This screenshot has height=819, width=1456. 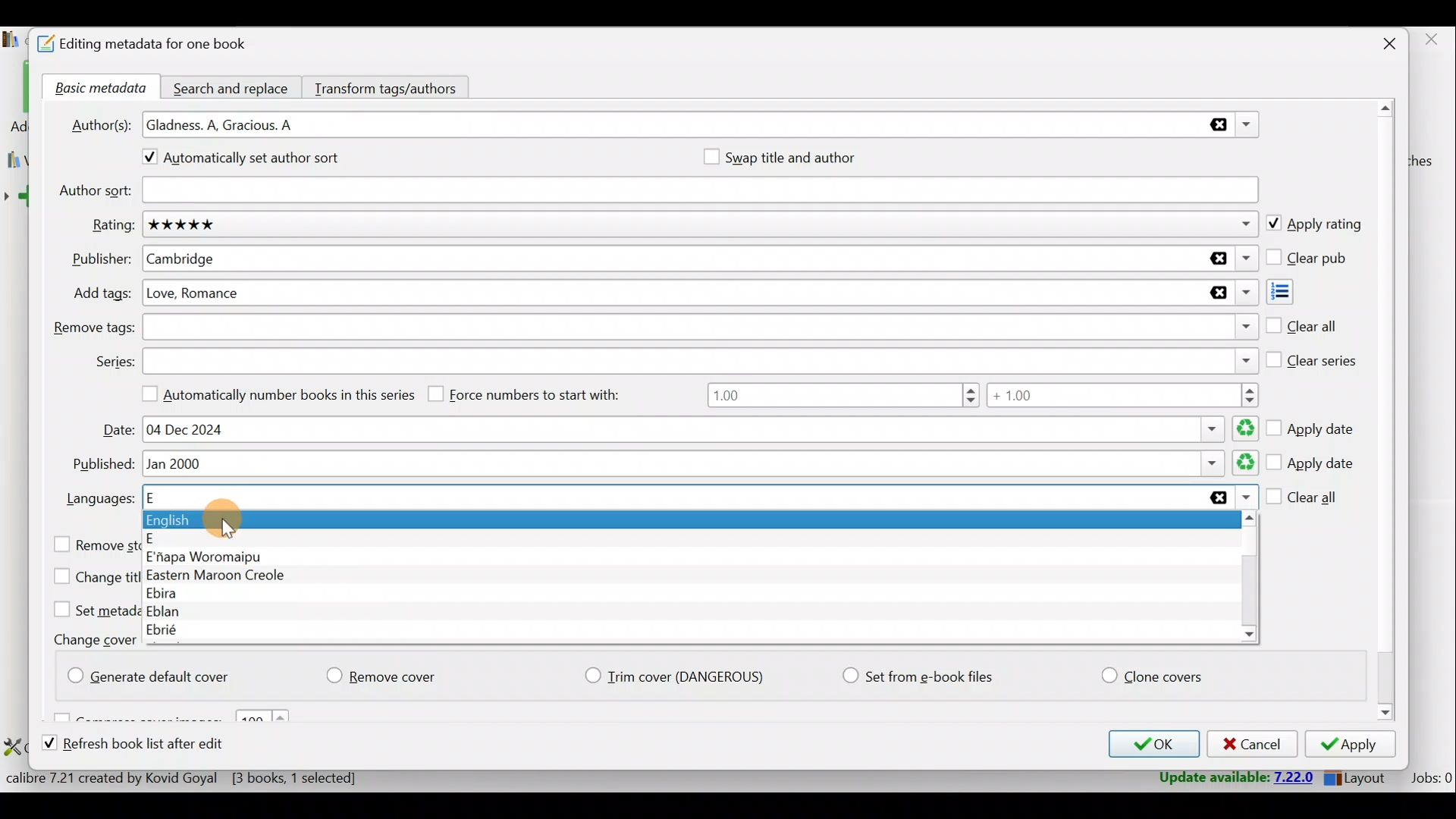 What do you see at coordinates (101, 123) in the screenshot?
I see `Author(s):` at bounding box center [101, 123].